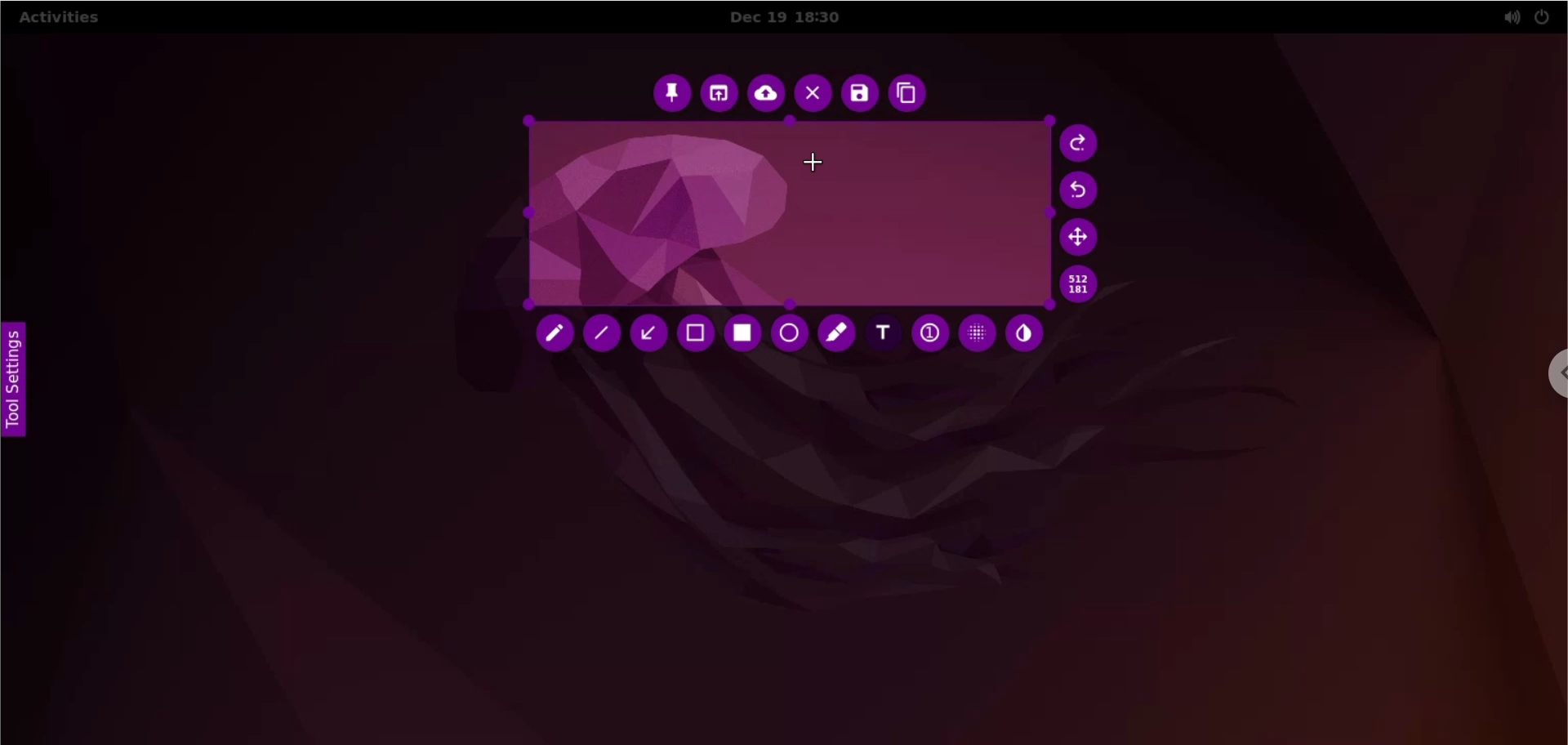 This screenshot has width=1568, height=745. What do you see at coordinates (698, 335) in the screenshot?
I see `selection tool` at bounding box center [698, 335].